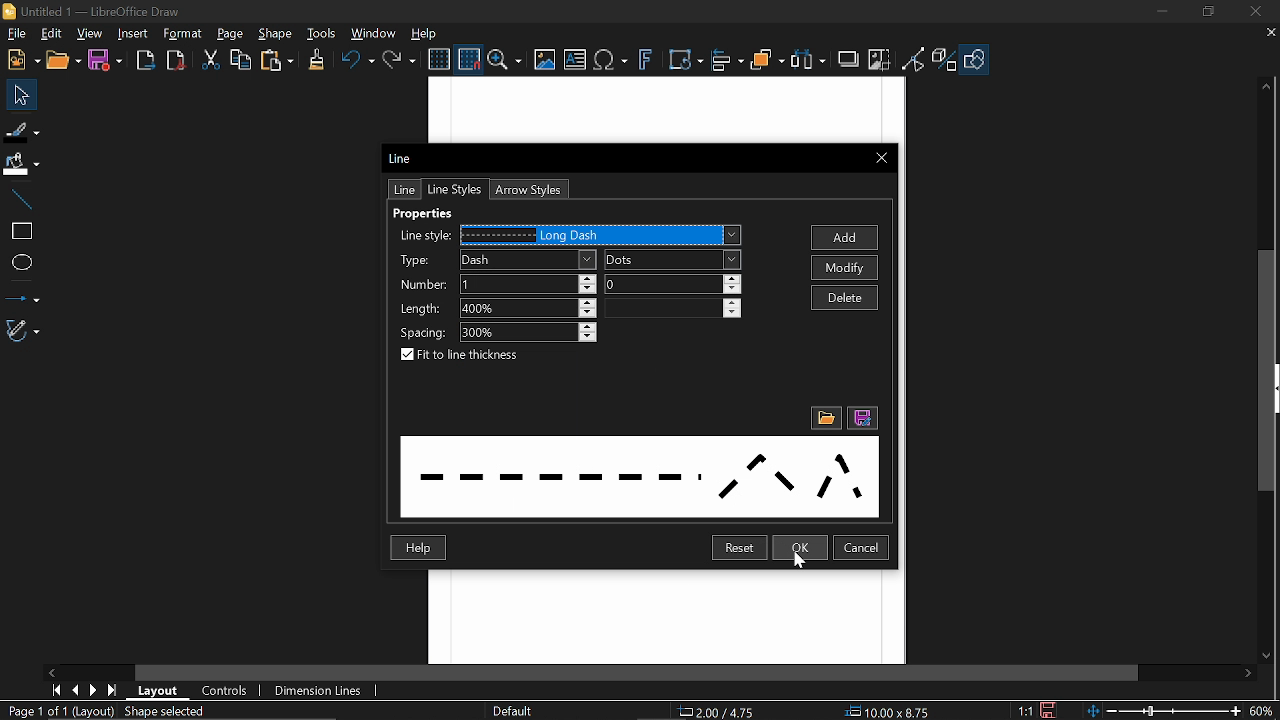 This screenshot has height=720, width=1280. What do you see at coordinates (881, 160) in the screenshot?
I see `Close` at bounding box center [881, 160].